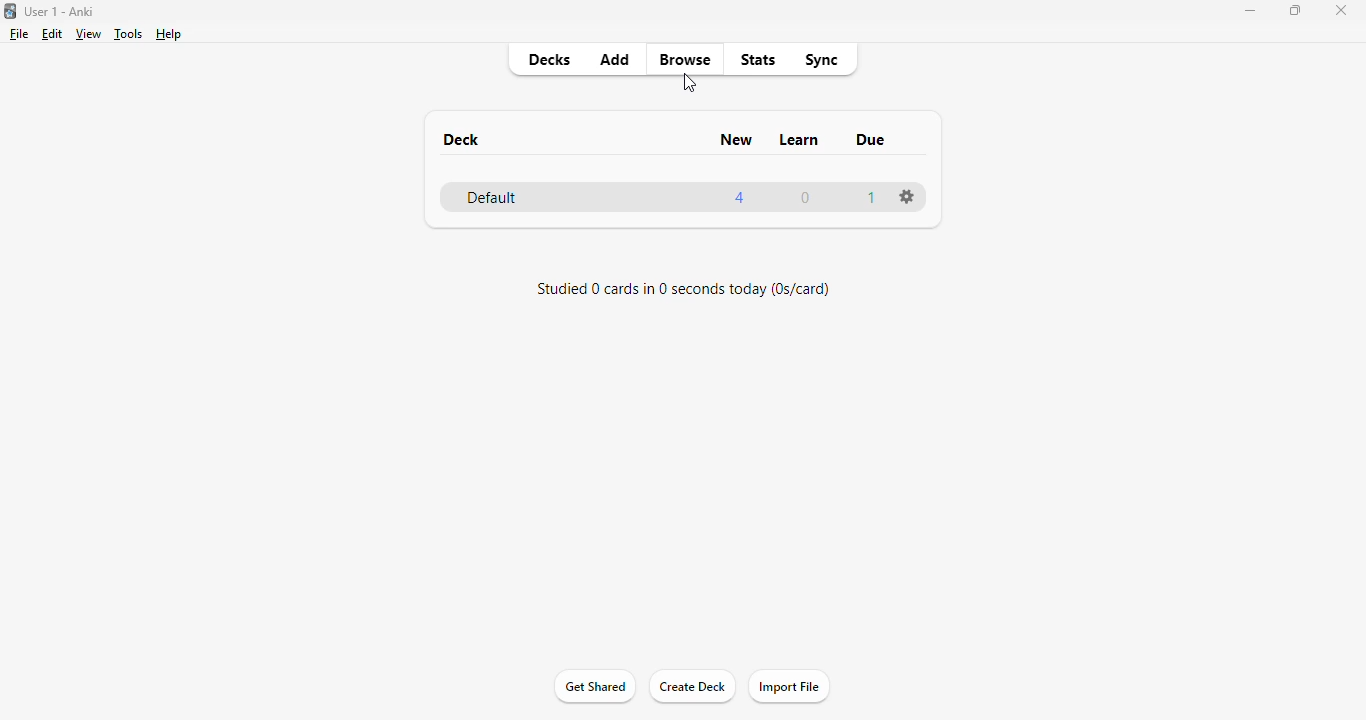 This screenshot has height=720, width=1366. Describe the element at coordinates (689, 83) in the screenshot. I see `cursor` at that location.